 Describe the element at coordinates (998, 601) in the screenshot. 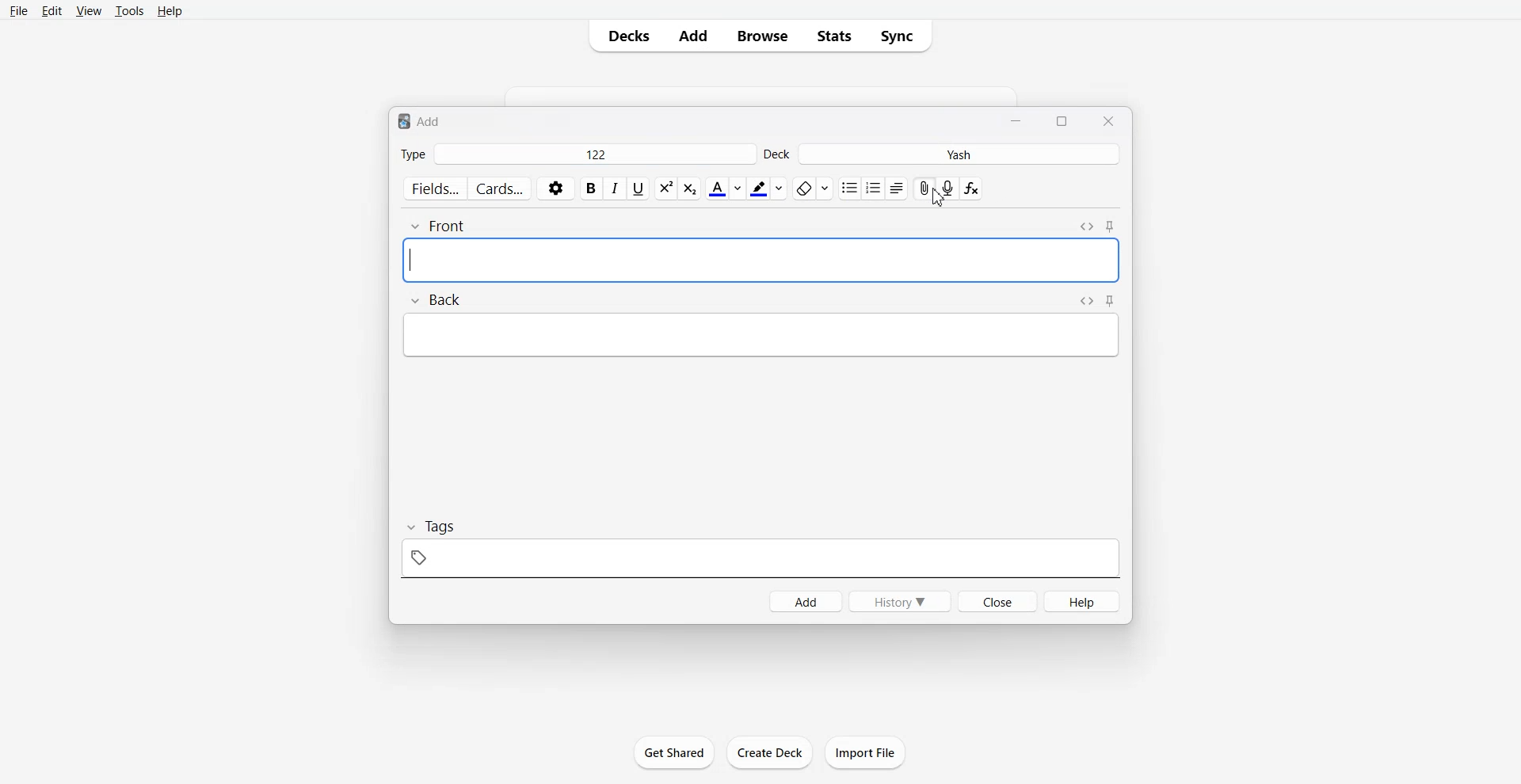

I see `Close` at that location.